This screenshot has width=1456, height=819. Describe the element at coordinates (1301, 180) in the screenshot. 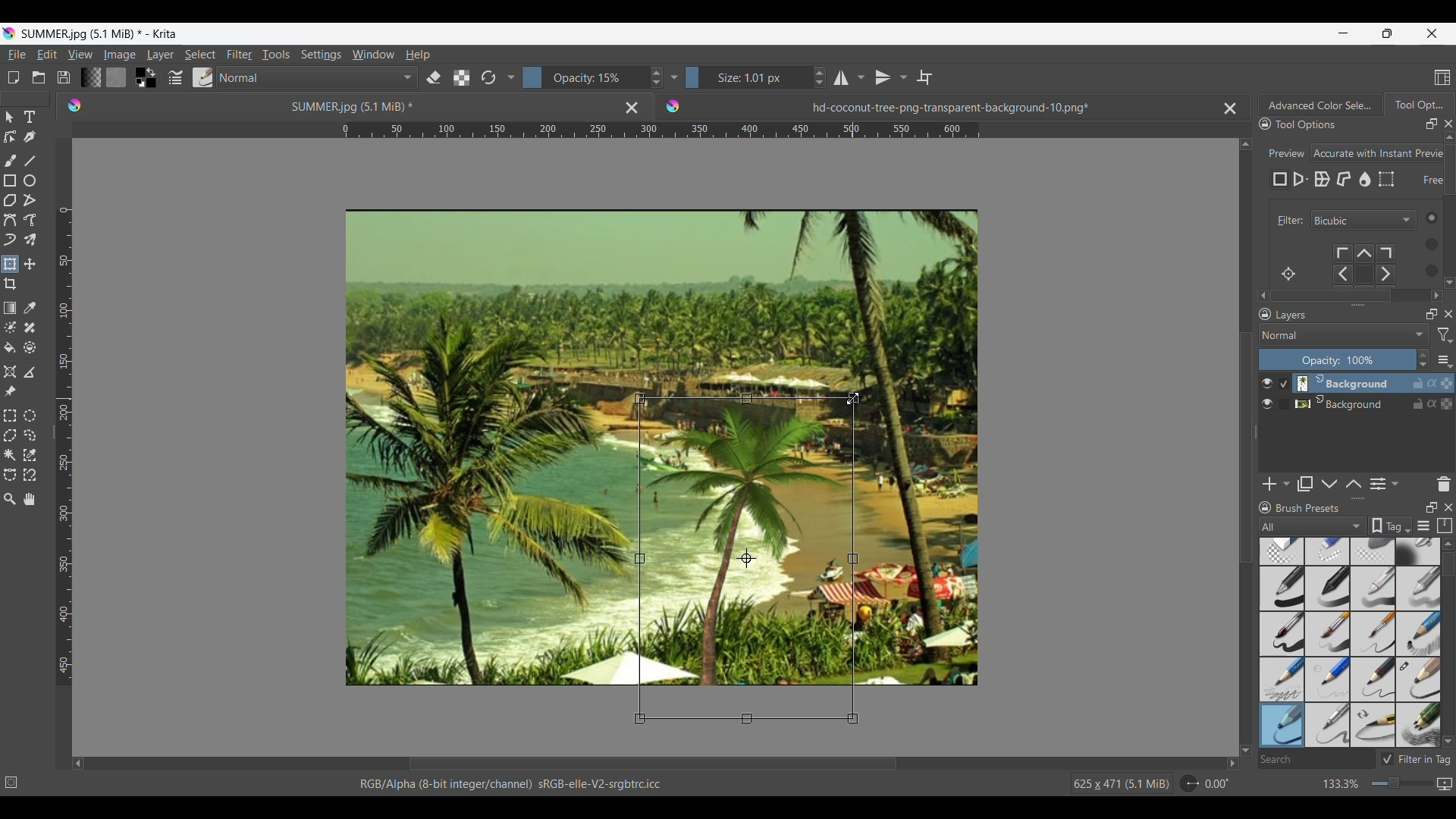

I see `Perspective` at that location.